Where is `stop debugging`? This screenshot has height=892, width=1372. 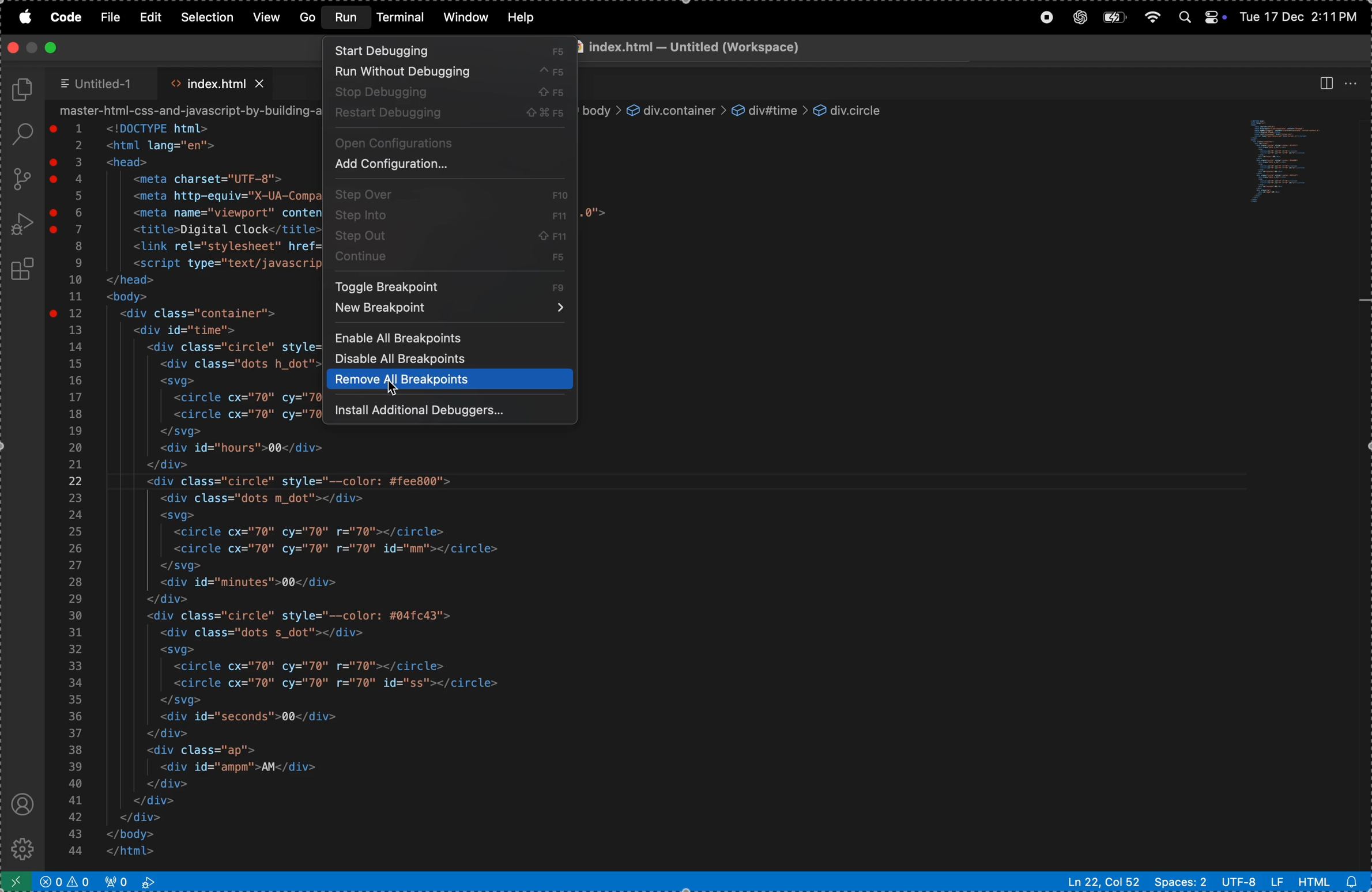 stop debugging is located at coordinates (450, 92).